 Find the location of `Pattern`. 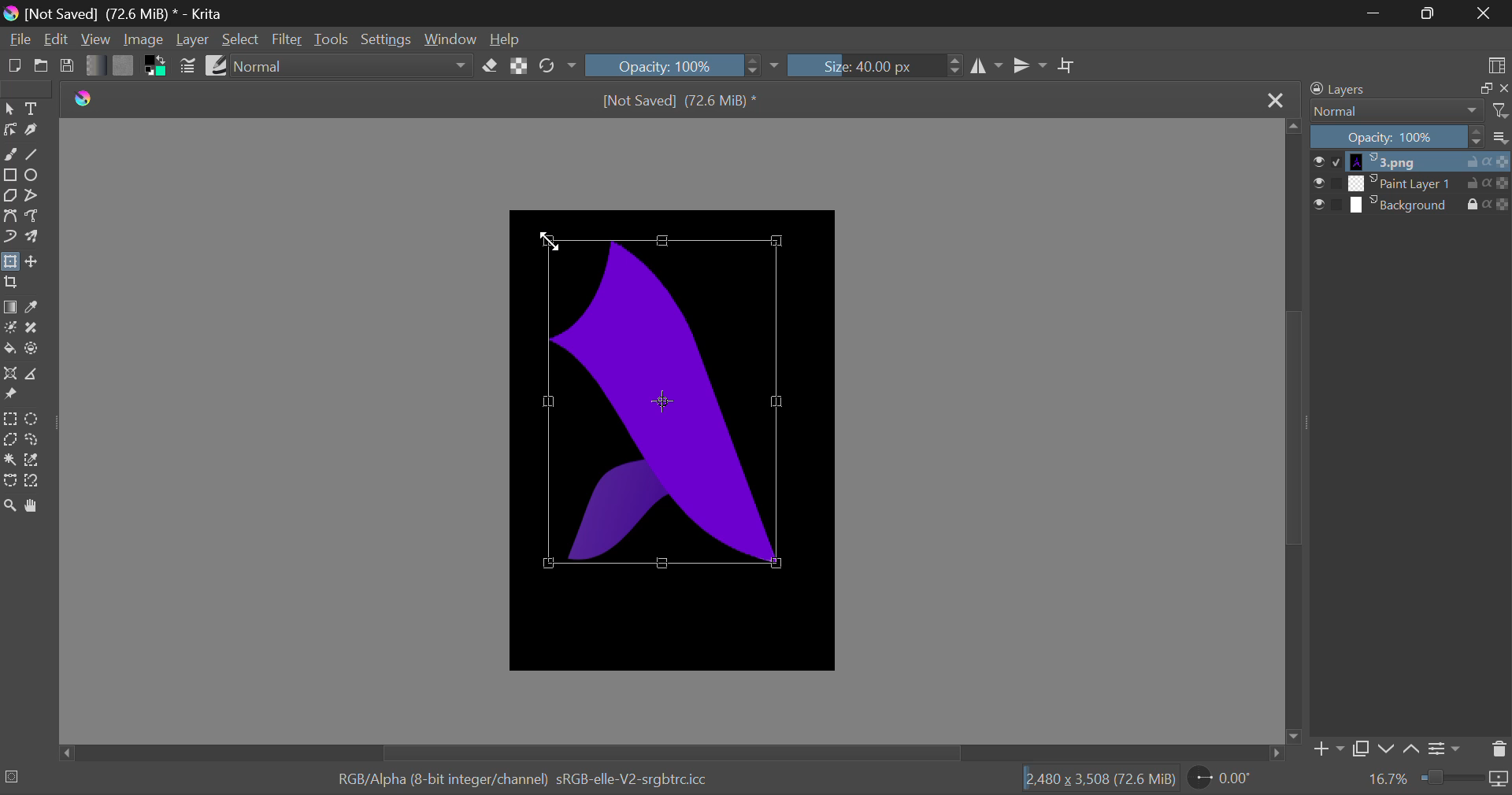

Pattern is located at coordinates (123, 65).